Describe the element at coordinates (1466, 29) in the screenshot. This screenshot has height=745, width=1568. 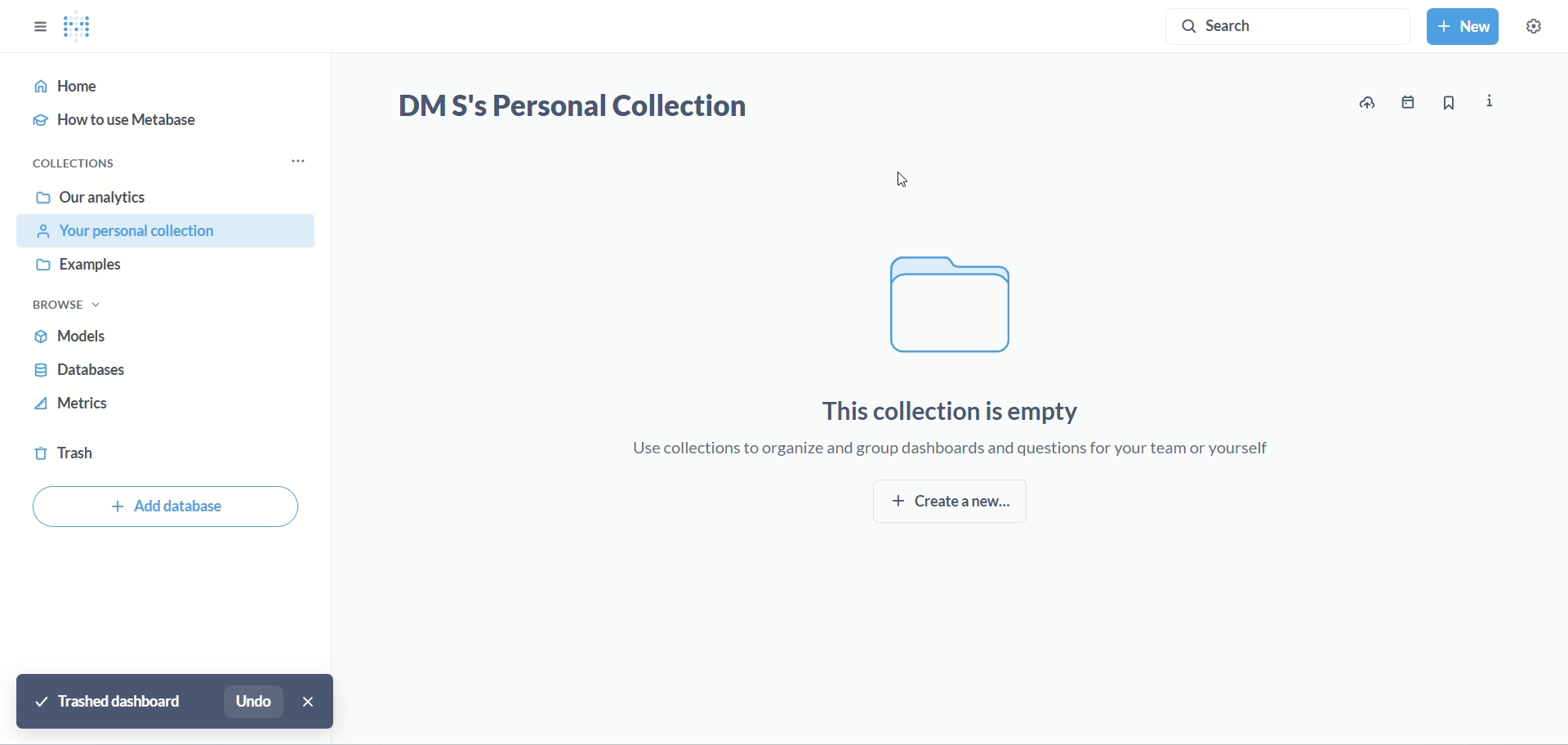
I see `new` at that location.